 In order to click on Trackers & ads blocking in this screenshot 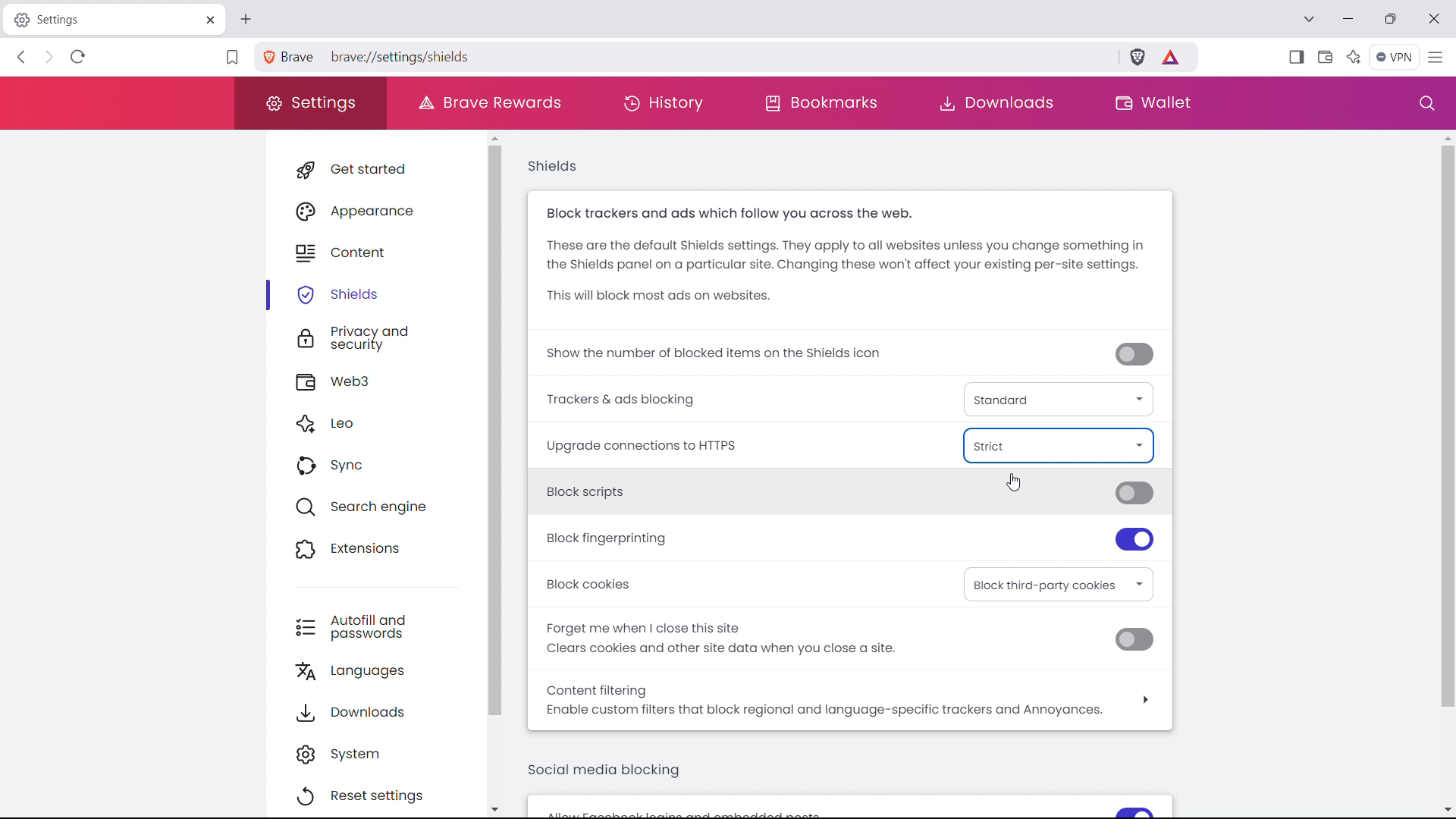, I will do `click(645, 399)`.